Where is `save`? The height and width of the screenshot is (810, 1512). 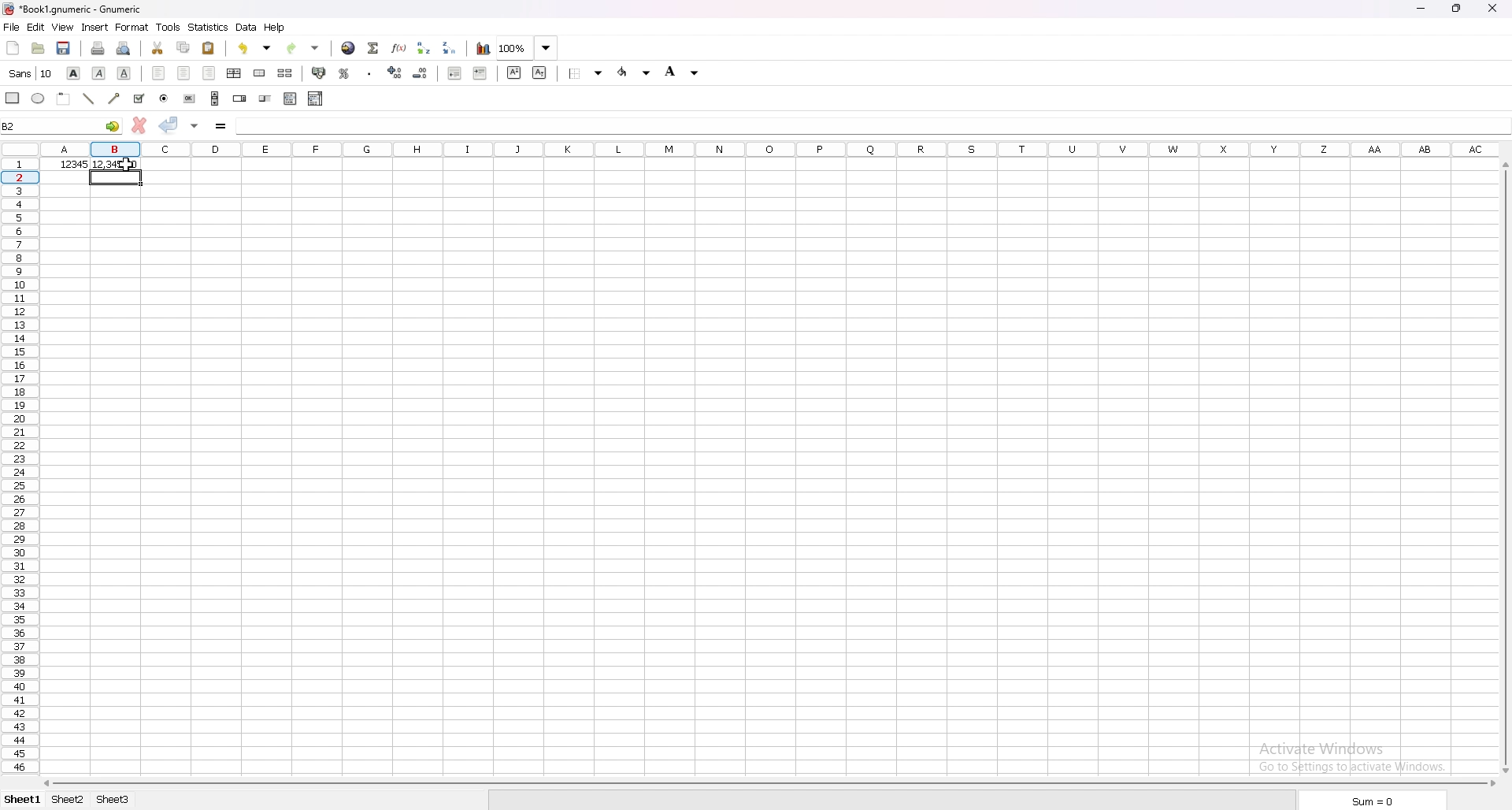
save is located at coordinates (64, 50).